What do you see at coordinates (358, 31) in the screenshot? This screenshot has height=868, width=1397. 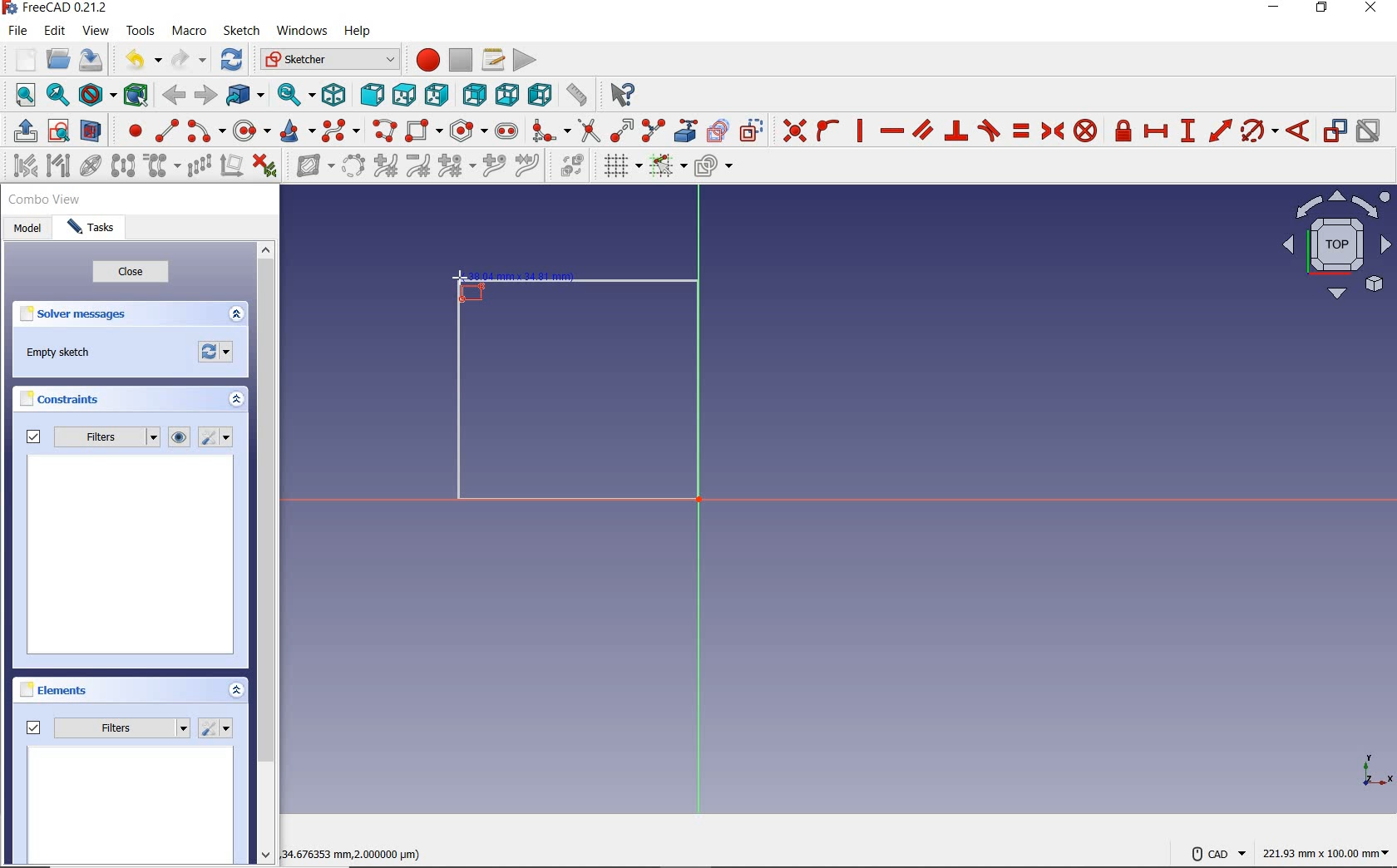 I see `help` at bounding box center [358, 31].